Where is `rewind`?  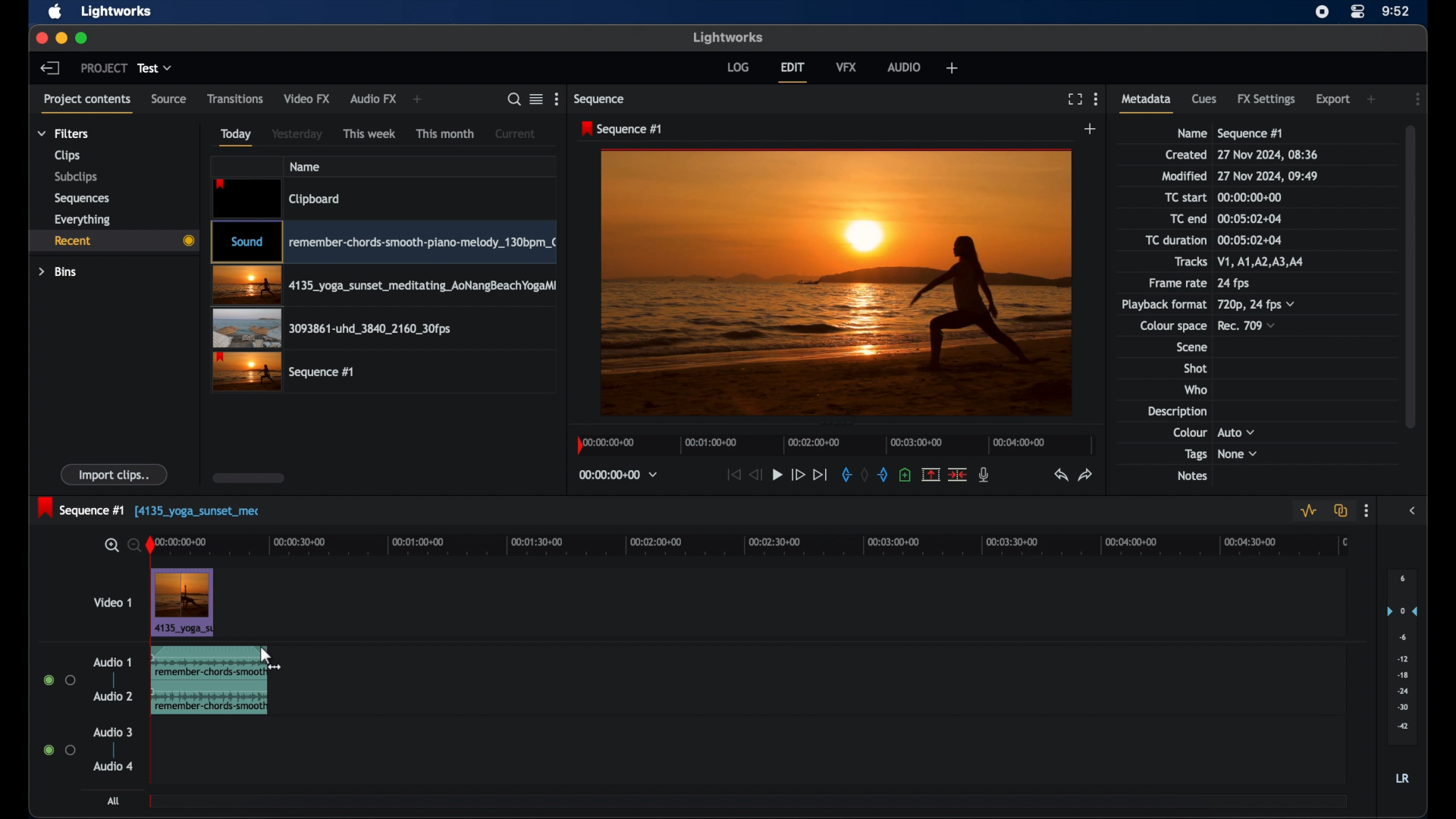
rewind is located at coordinates (755, 475).